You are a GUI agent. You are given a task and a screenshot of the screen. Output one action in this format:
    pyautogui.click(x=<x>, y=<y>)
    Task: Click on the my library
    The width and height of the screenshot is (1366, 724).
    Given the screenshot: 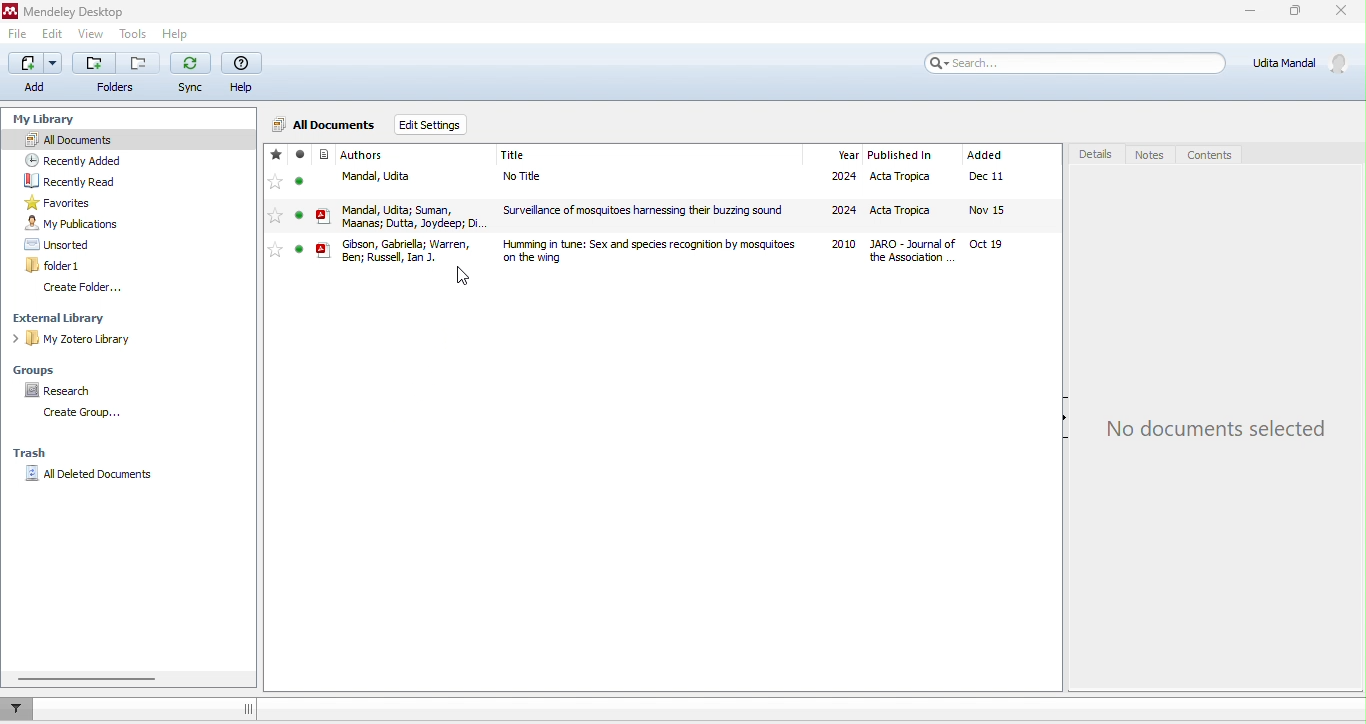 What is the action you would take?
    pyautogui.click(x=47, y=116)
    